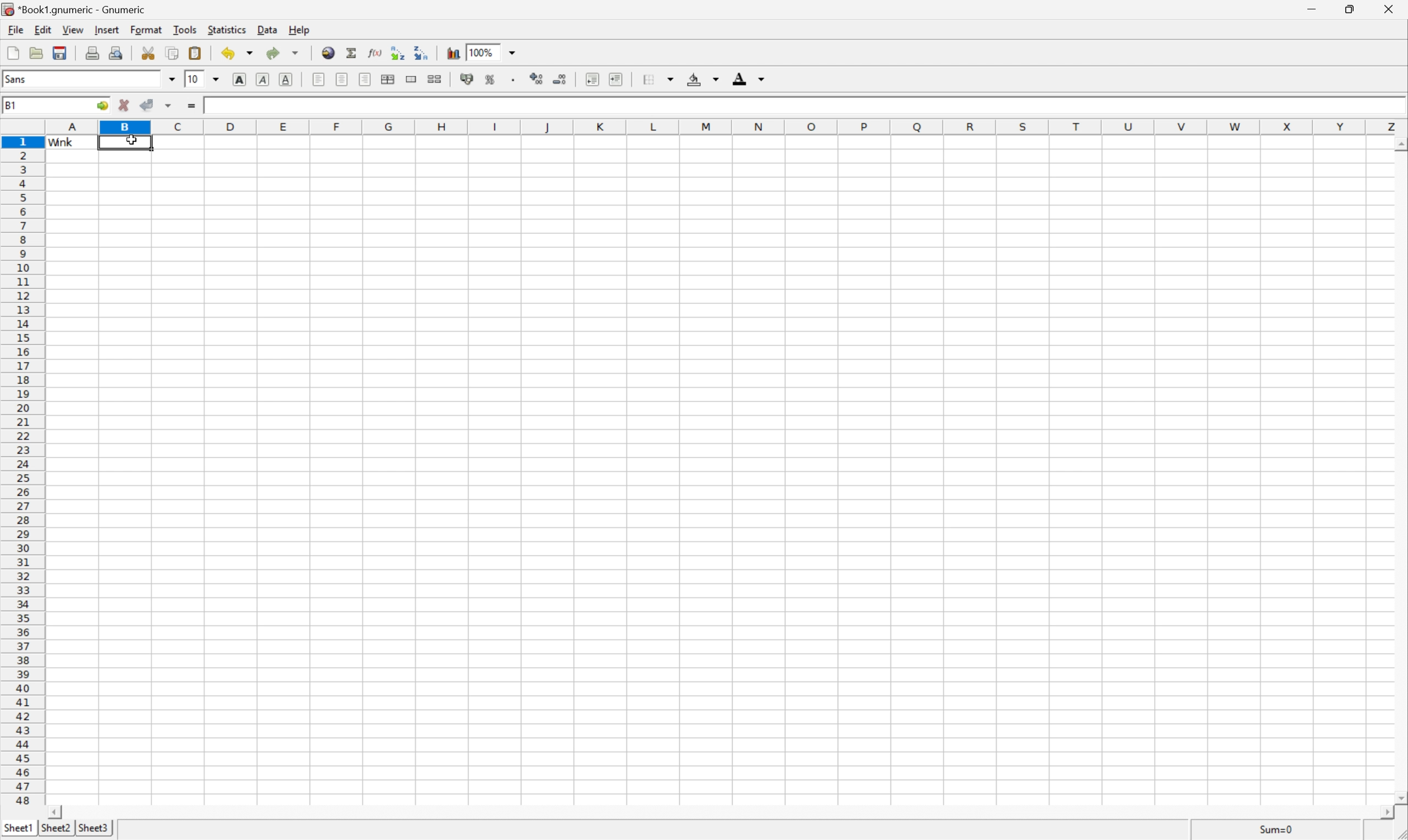 This screenshot has height=840, width=1408. I want to click on edit, so click(41, 31).